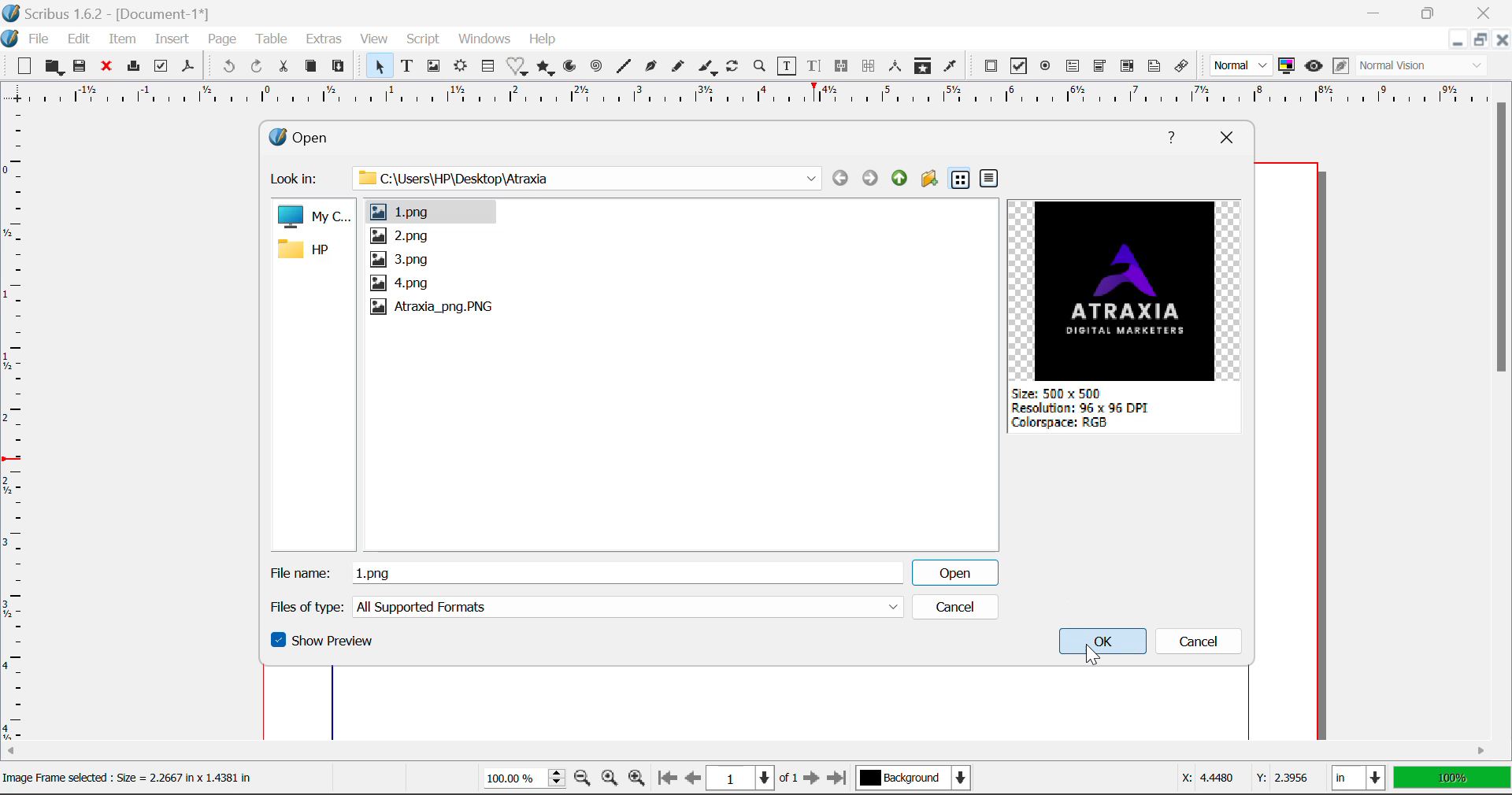 This screenshot has height=795, width=1512. What do you see at coordinates (1340, 66) in the screenshot?
I see `Edit in Preview Mode` at bounding box center [1340, 66].